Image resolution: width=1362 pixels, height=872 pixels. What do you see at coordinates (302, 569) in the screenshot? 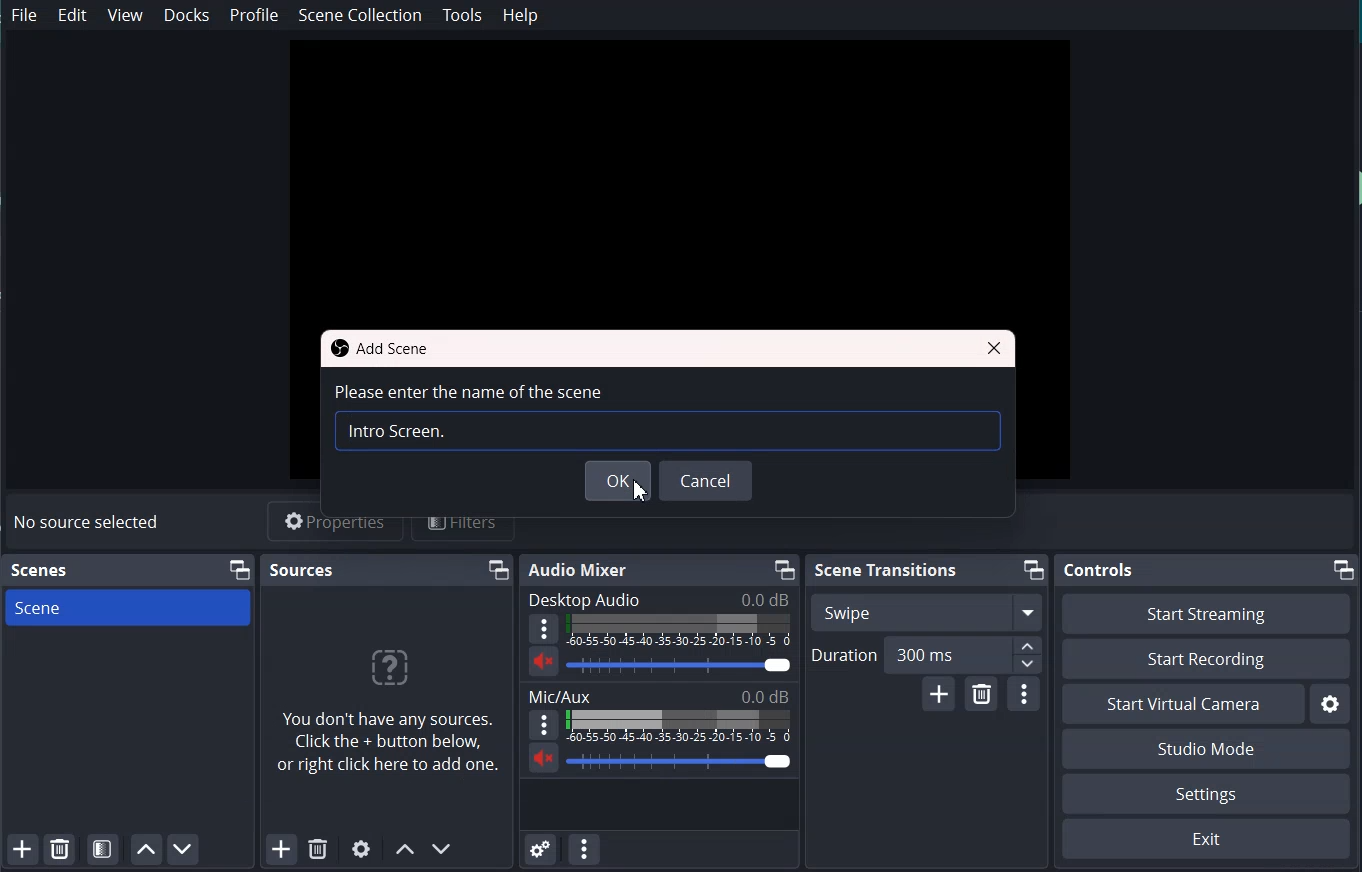
I see `Source` at bounding box center [302, 569].